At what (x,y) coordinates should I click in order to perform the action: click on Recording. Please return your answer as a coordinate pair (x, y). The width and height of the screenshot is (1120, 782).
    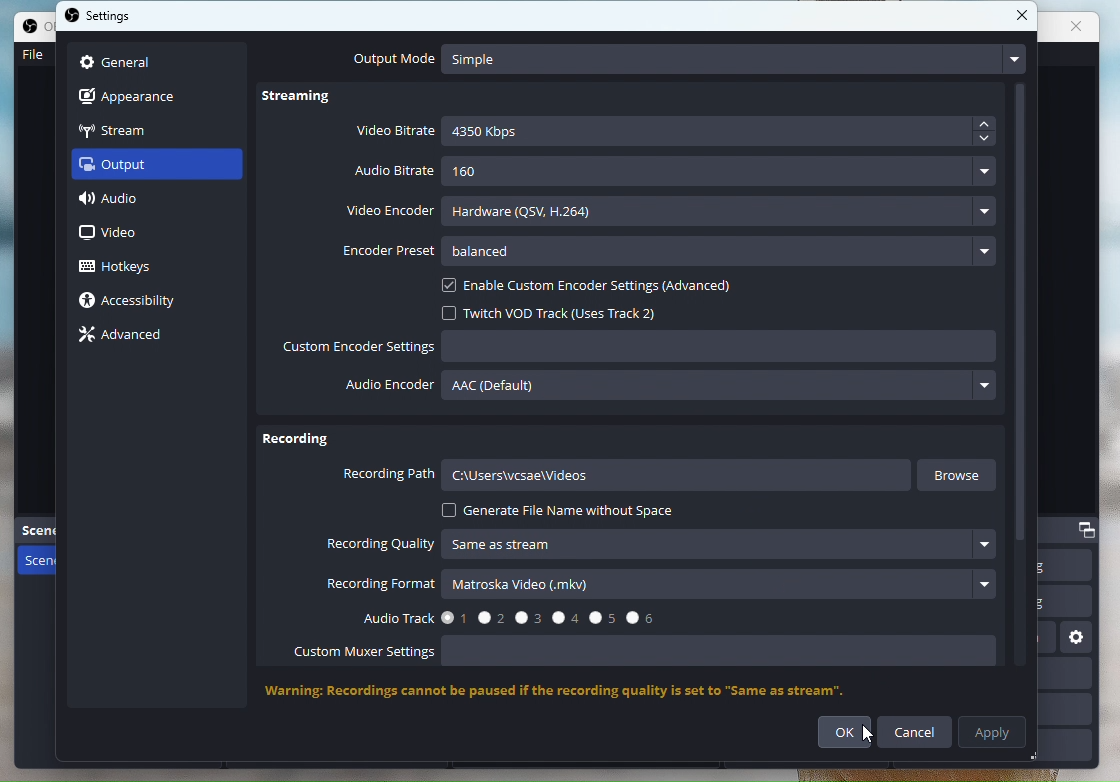
    Looking at the image, I should click on (296, 442).